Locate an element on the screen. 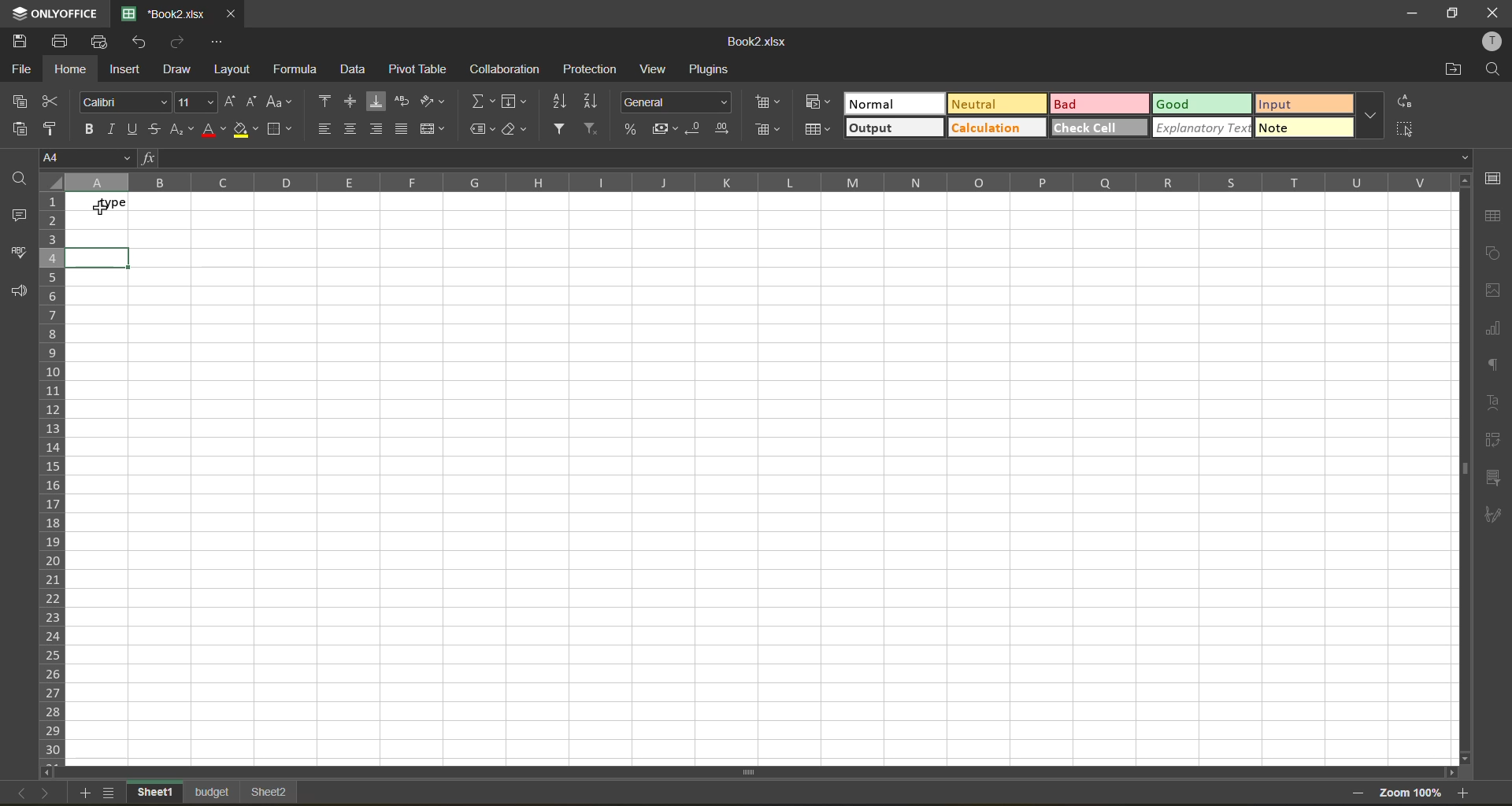 The height and width of the screenshot is (806, 1512). wrap text is located at coordinates (402, 102).